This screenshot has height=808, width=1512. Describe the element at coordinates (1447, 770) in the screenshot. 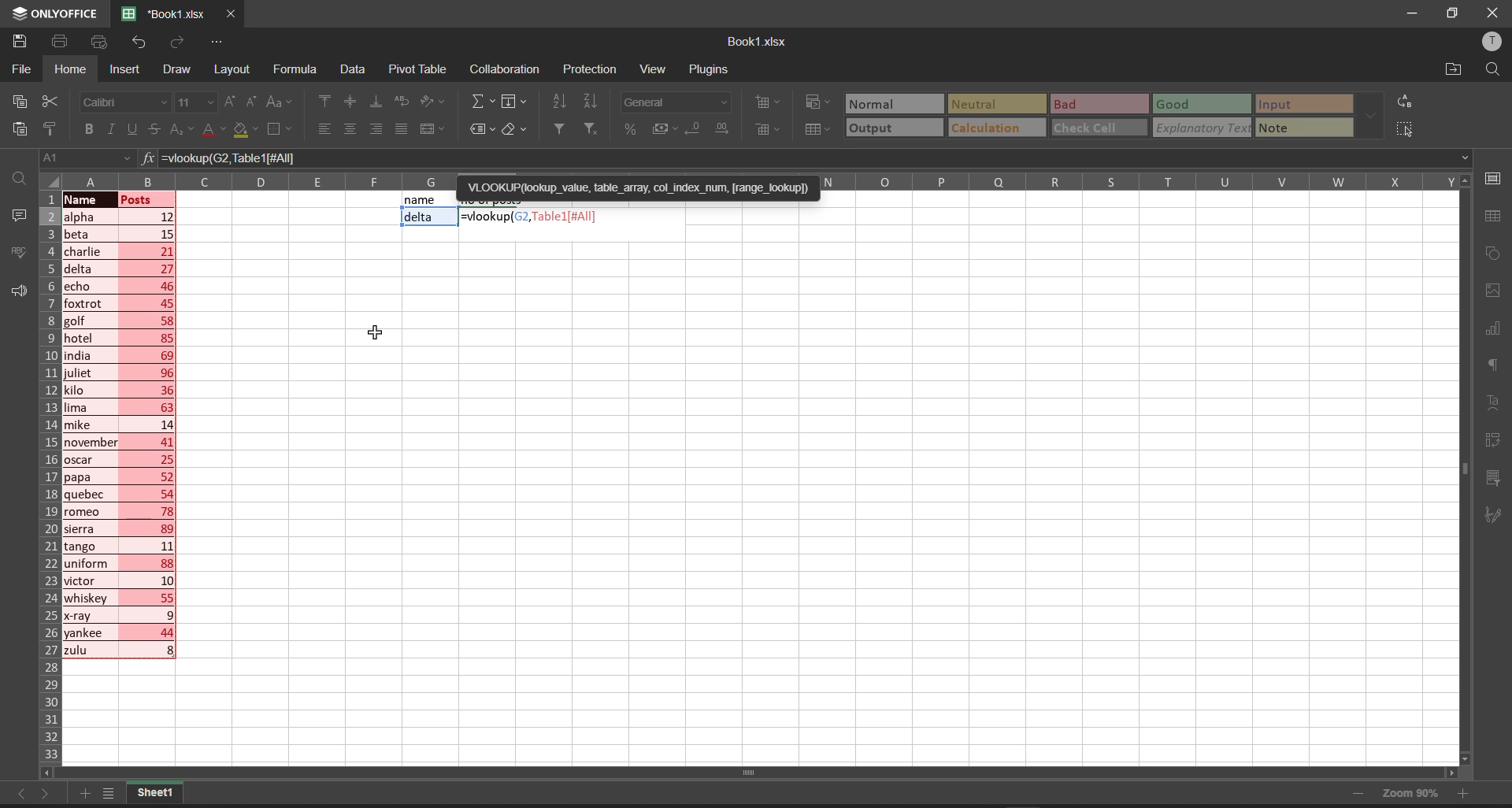

I see `scroll right` at that location.